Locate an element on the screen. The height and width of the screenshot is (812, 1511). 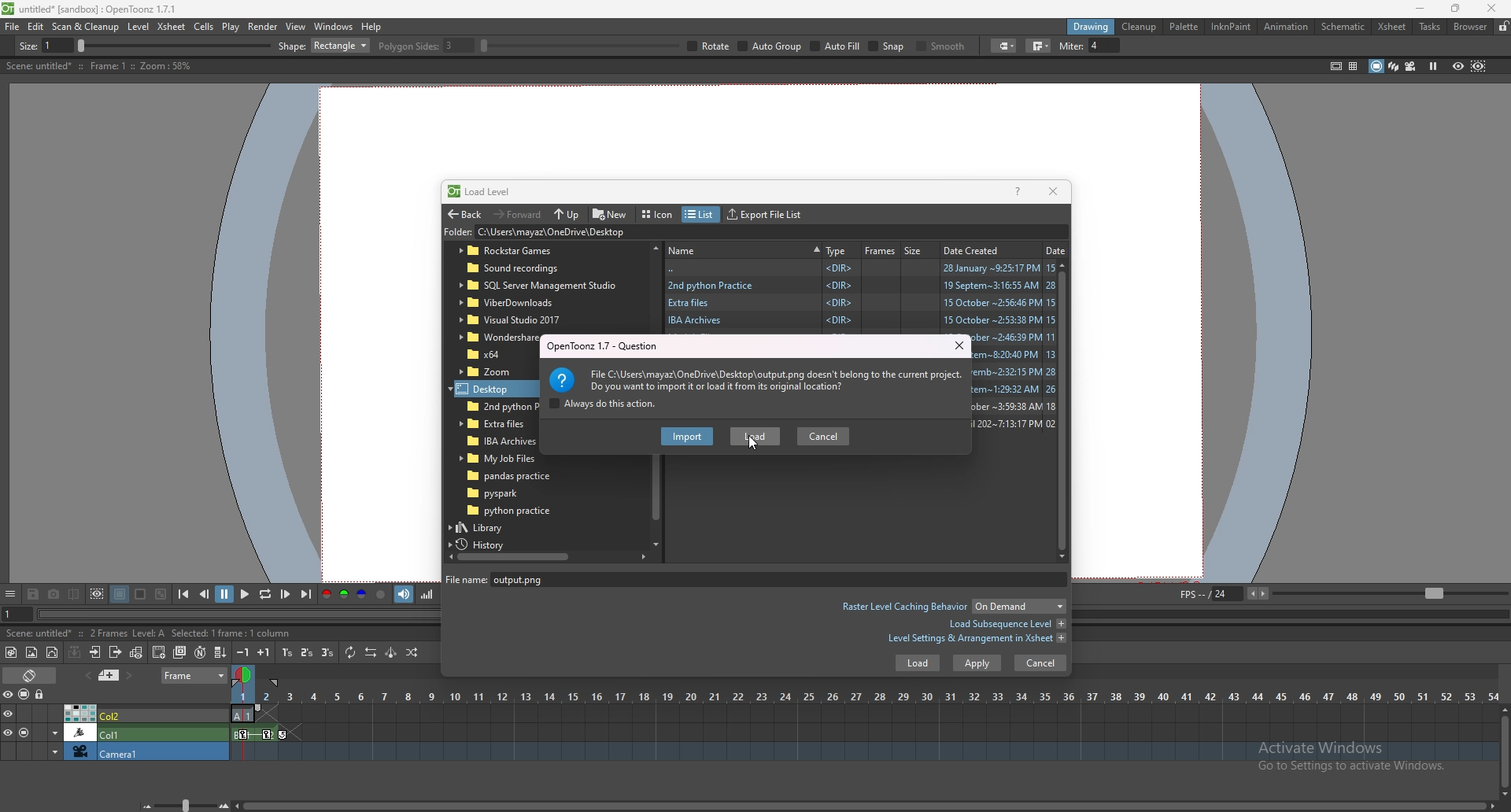
timeline is located at coordinates (863, 752).